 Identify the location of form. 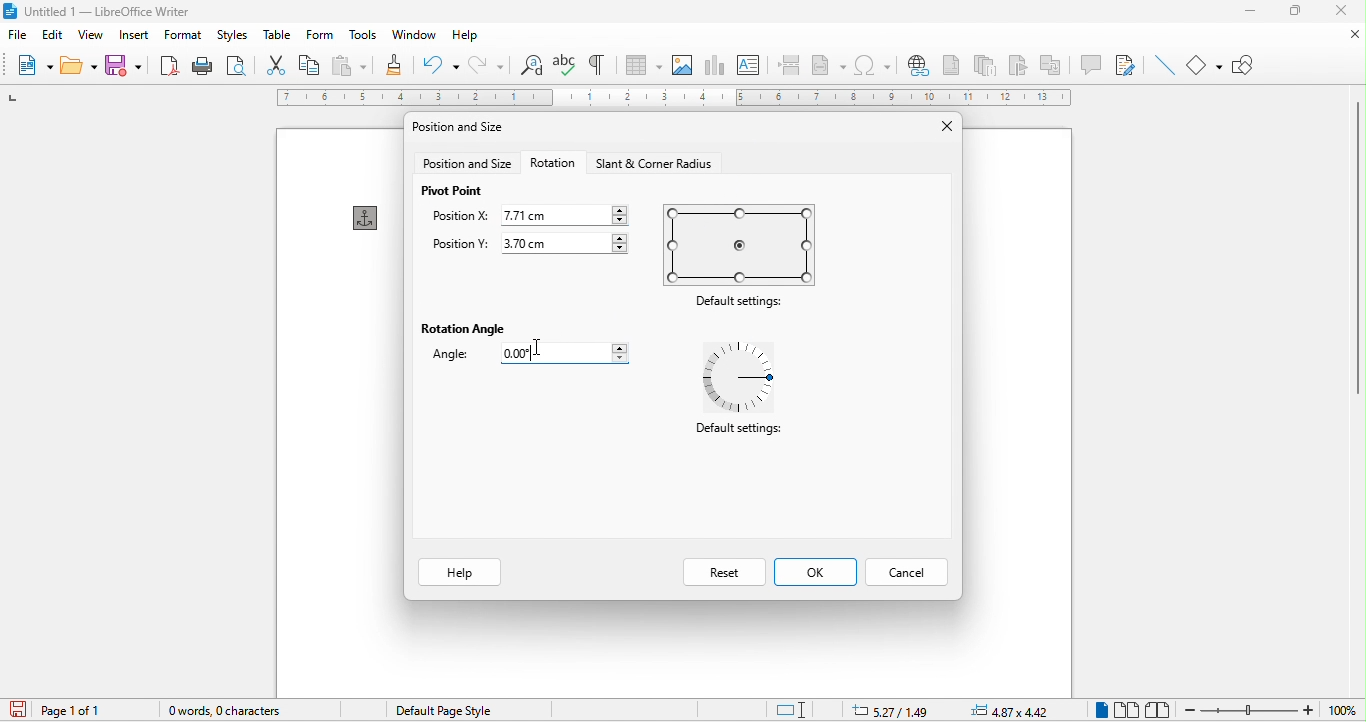
(316, 36).